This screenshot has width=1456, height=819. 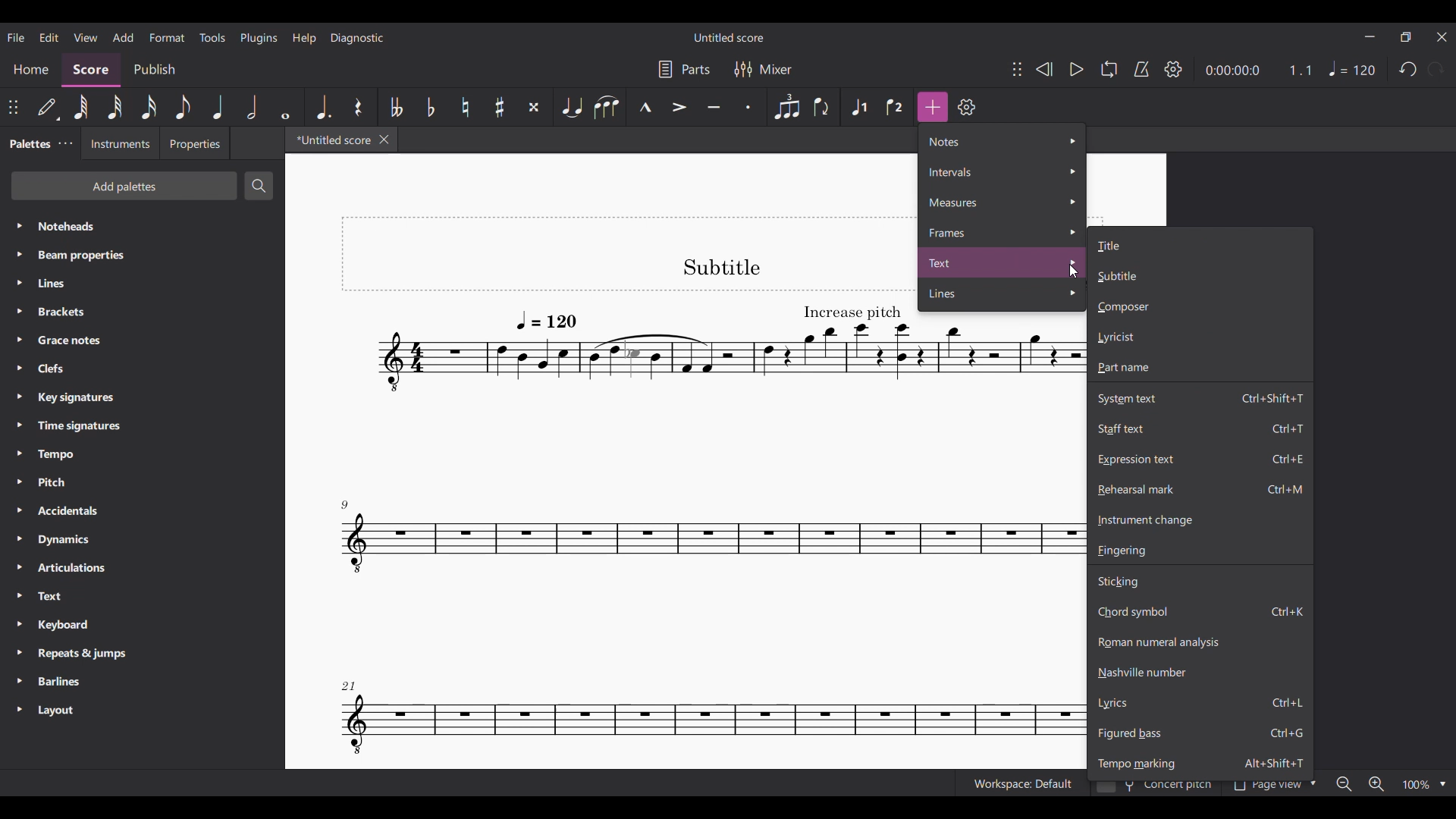 What do you see at coordinates (1300, 70) in the screenshot?
I see `Current ratio` at bounding box center [1300, 70].